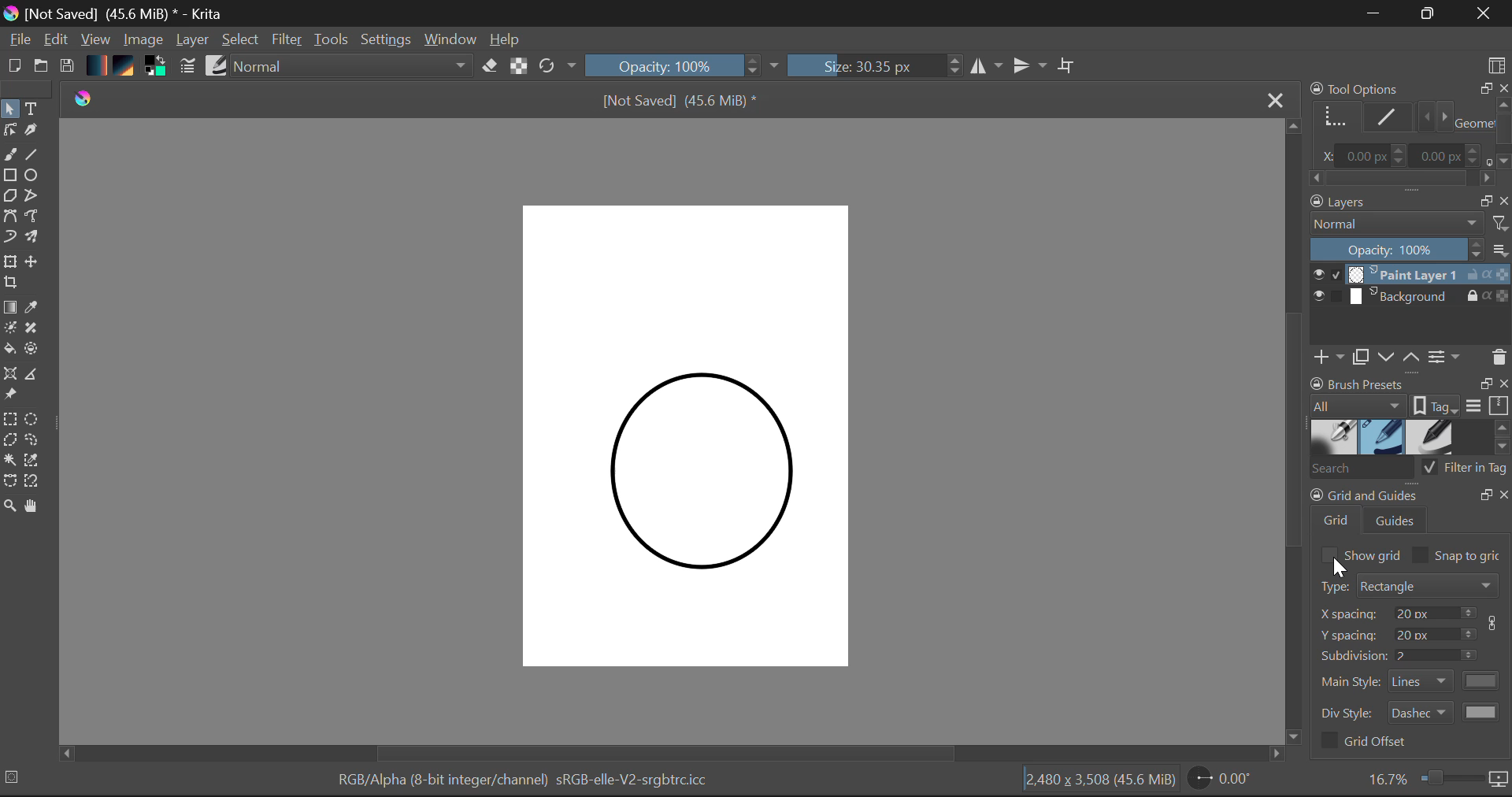  What do you see at coordinates (1408, 358) in the screenshot?
I see `Layers Quickbuttons` at bounding box center [1408, 358].